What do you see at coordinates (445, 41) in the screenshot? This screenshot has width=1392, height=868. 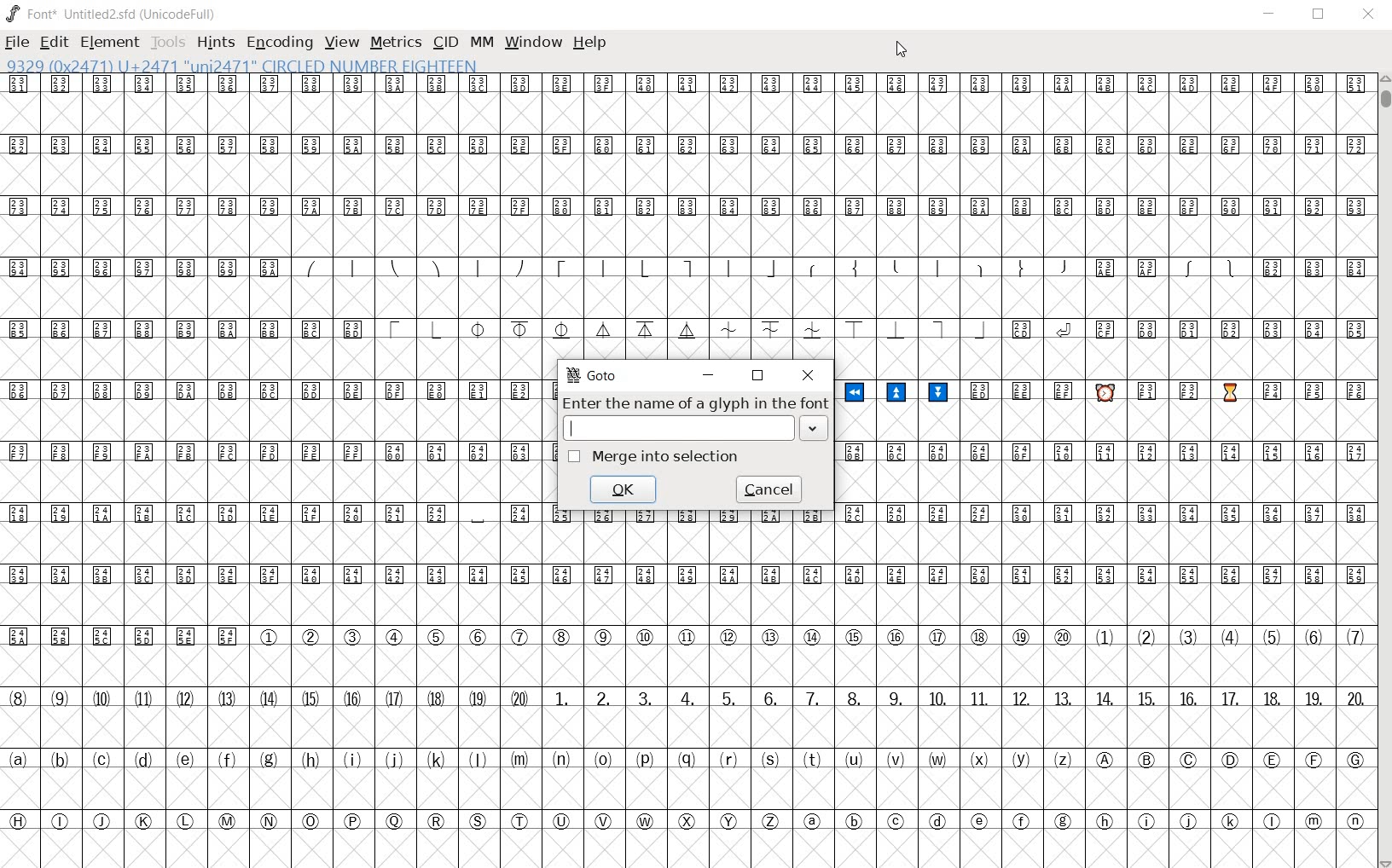 I see `cid` at bounding box center [445, 41].